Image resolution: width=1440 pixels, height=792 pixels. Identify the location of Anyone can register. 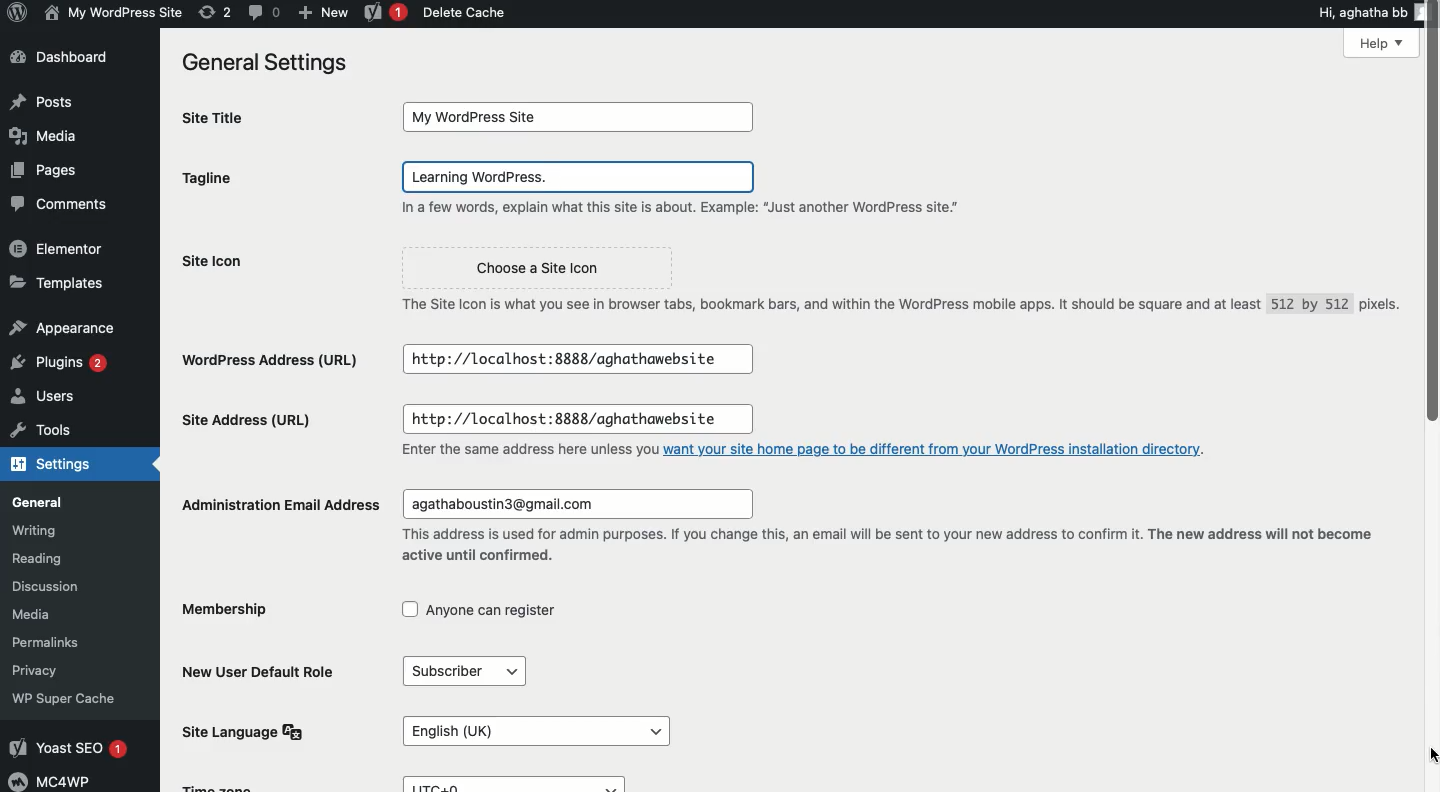
(488, 612).